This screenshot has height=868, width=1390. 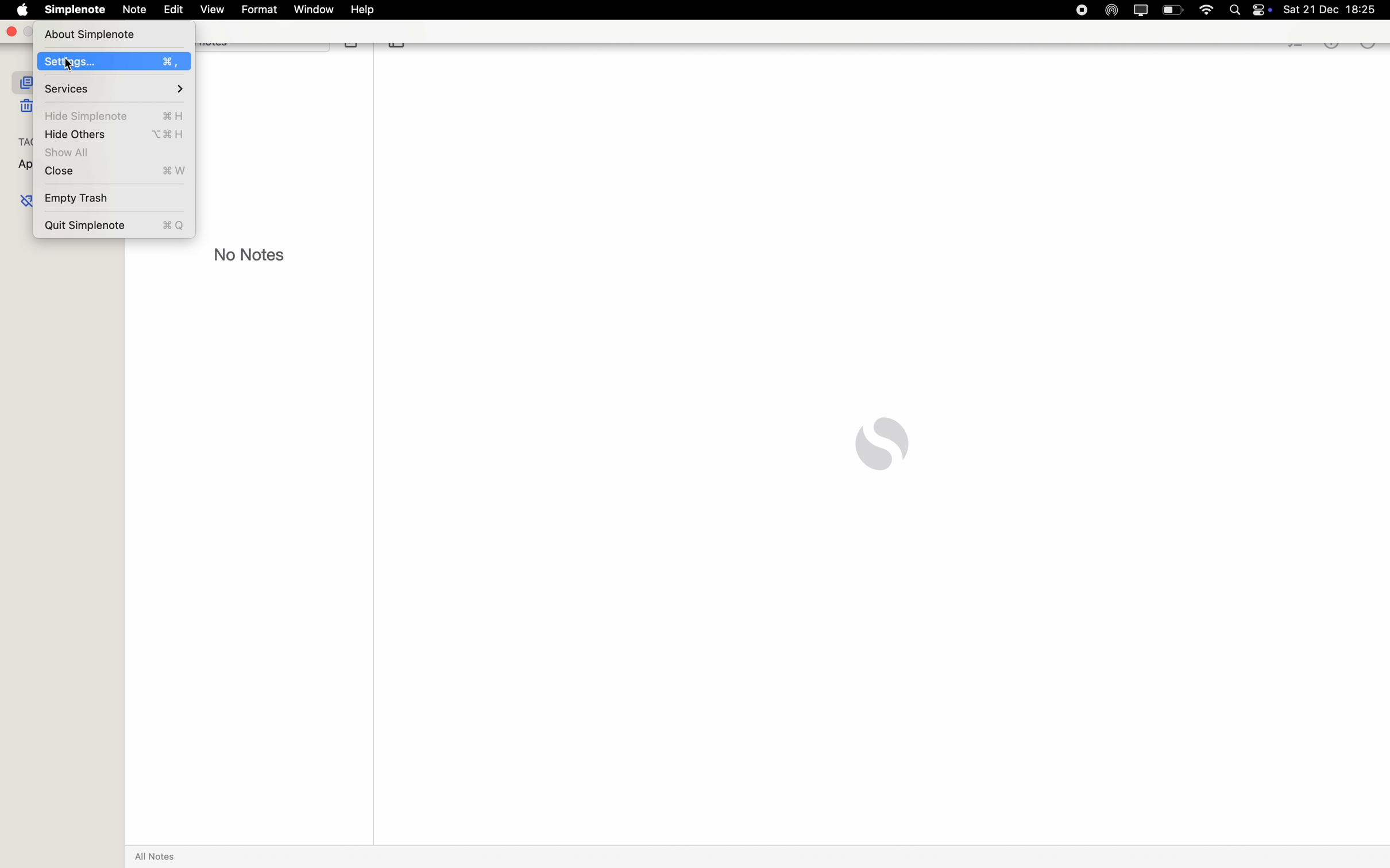 What do you see at coordinates (1204, 10) in the screenshot?
I see `wifi` at bounding box center [1204, 10].